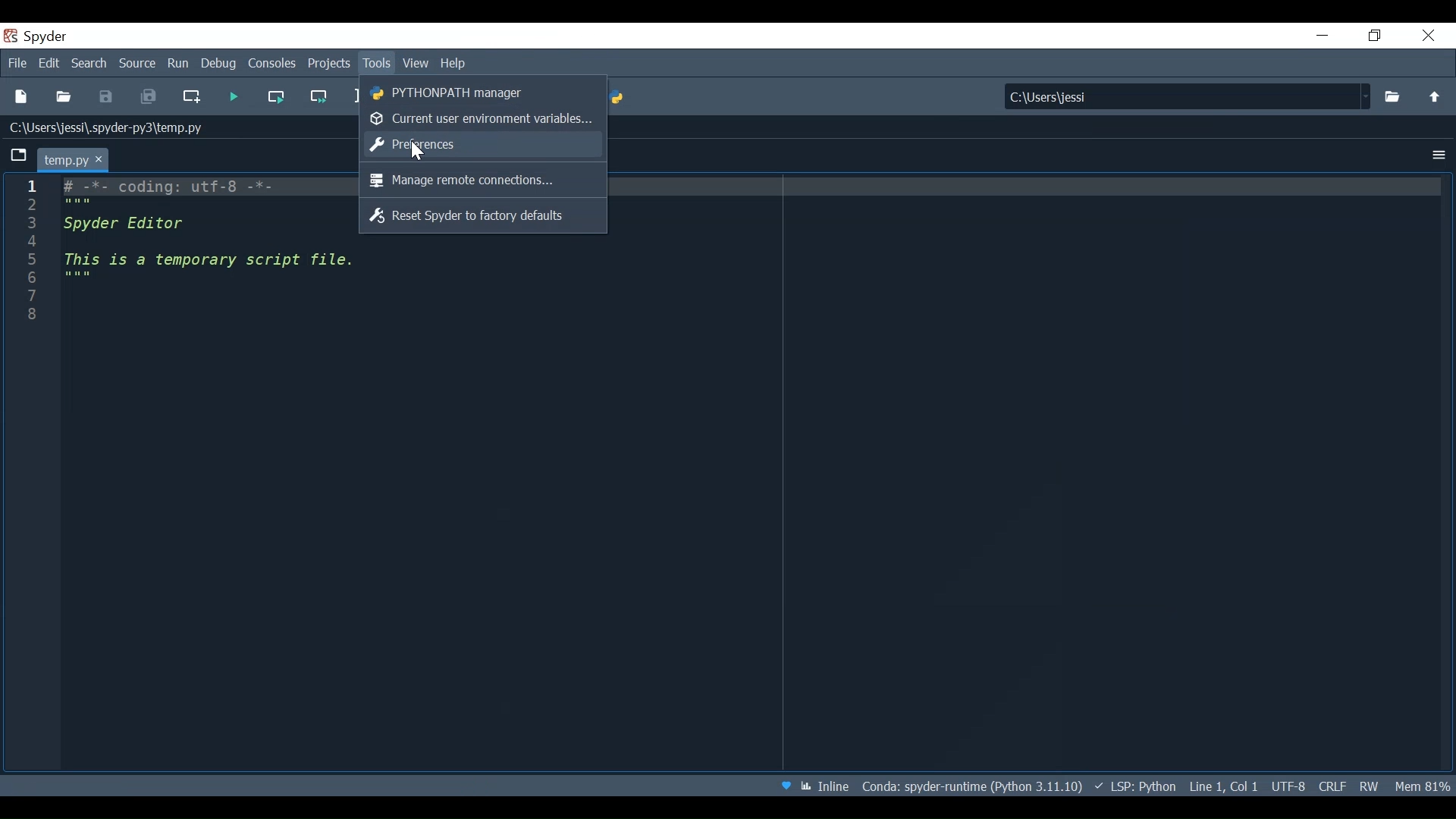  Describe the element at coordinates (106, 96) in the screenshot. I see `Save File` at that location.